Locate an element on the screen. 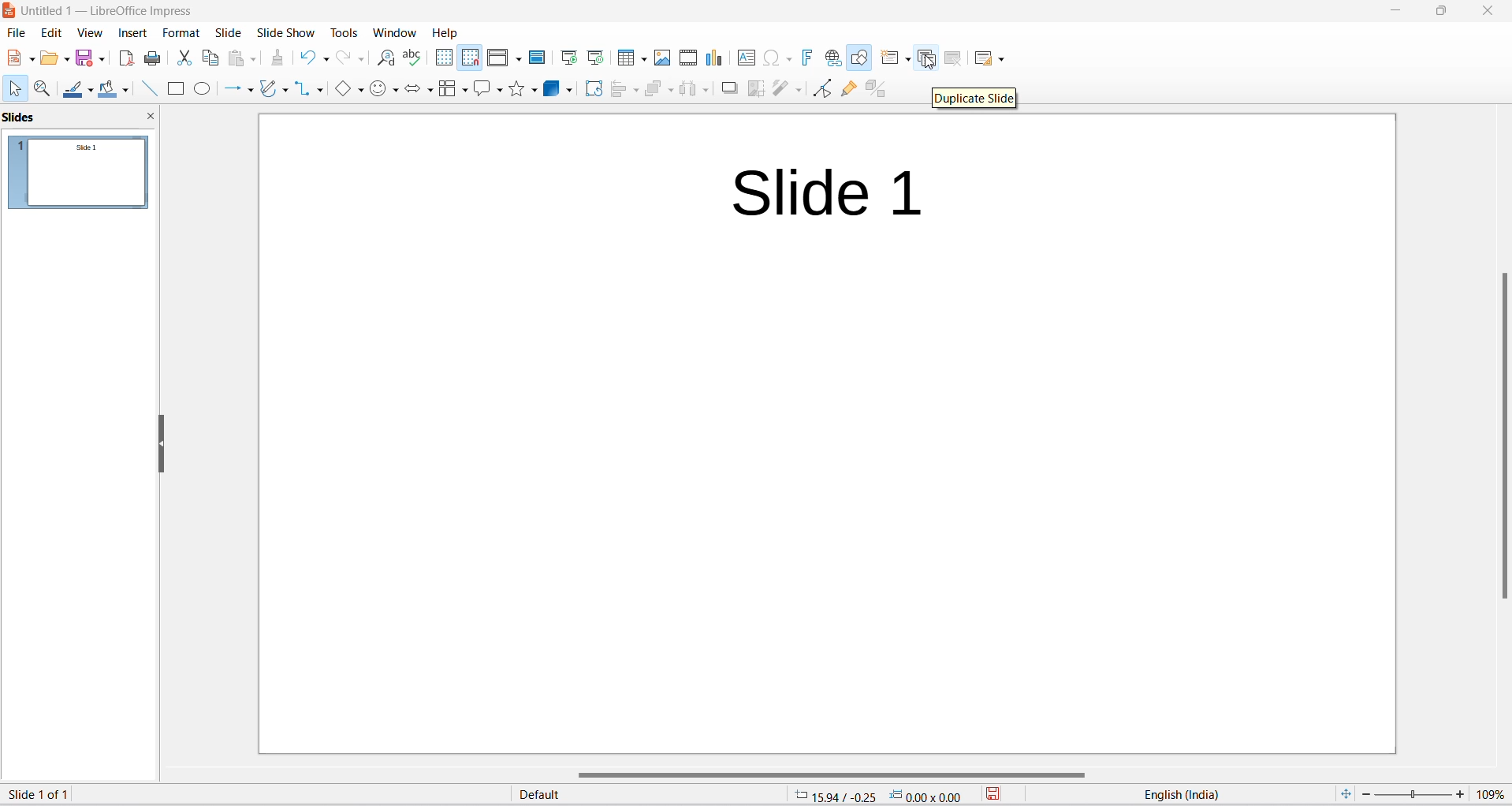  format is located at coordinates (179, 32).